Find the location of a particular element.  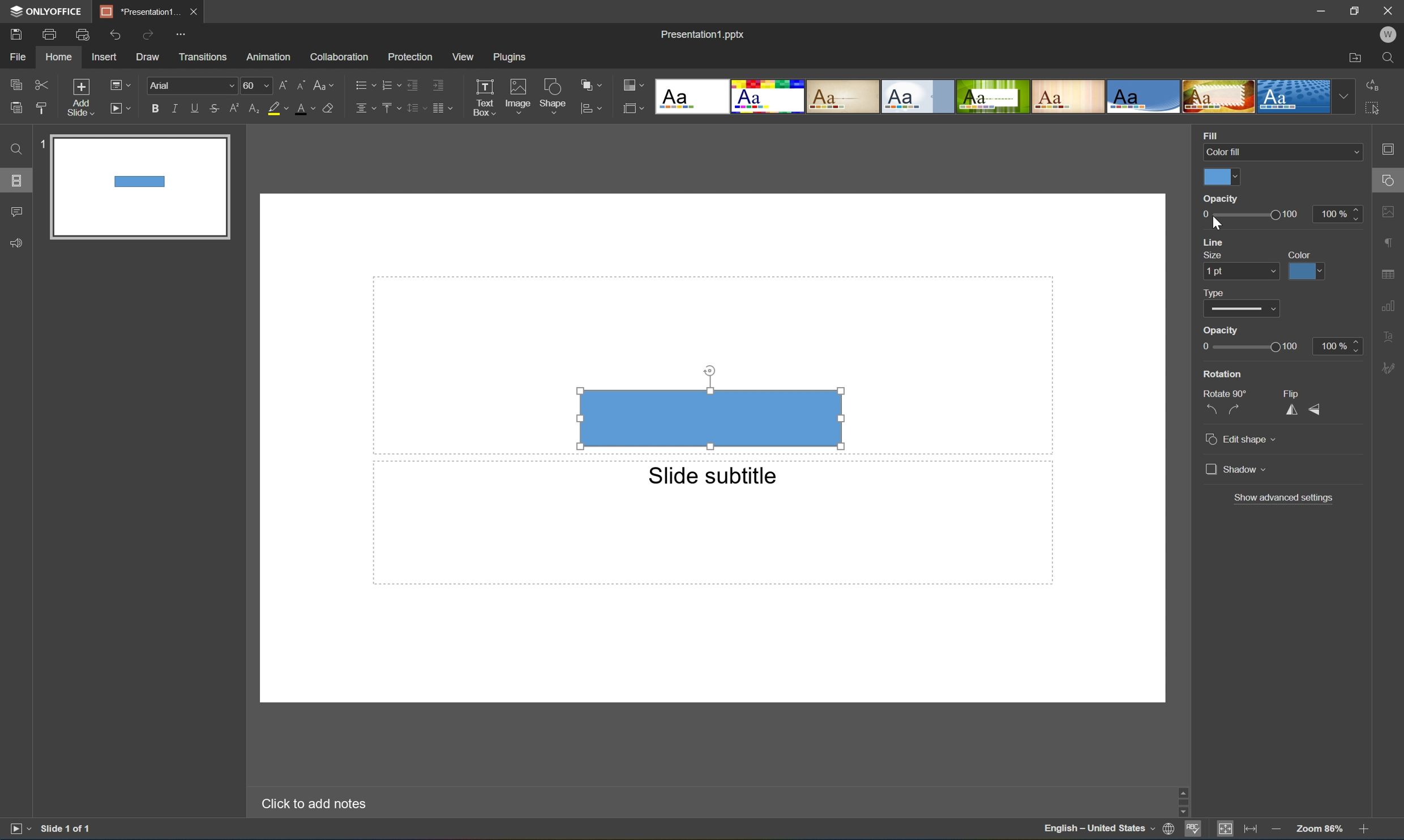

Select all is located at coordinates (1373, 112).